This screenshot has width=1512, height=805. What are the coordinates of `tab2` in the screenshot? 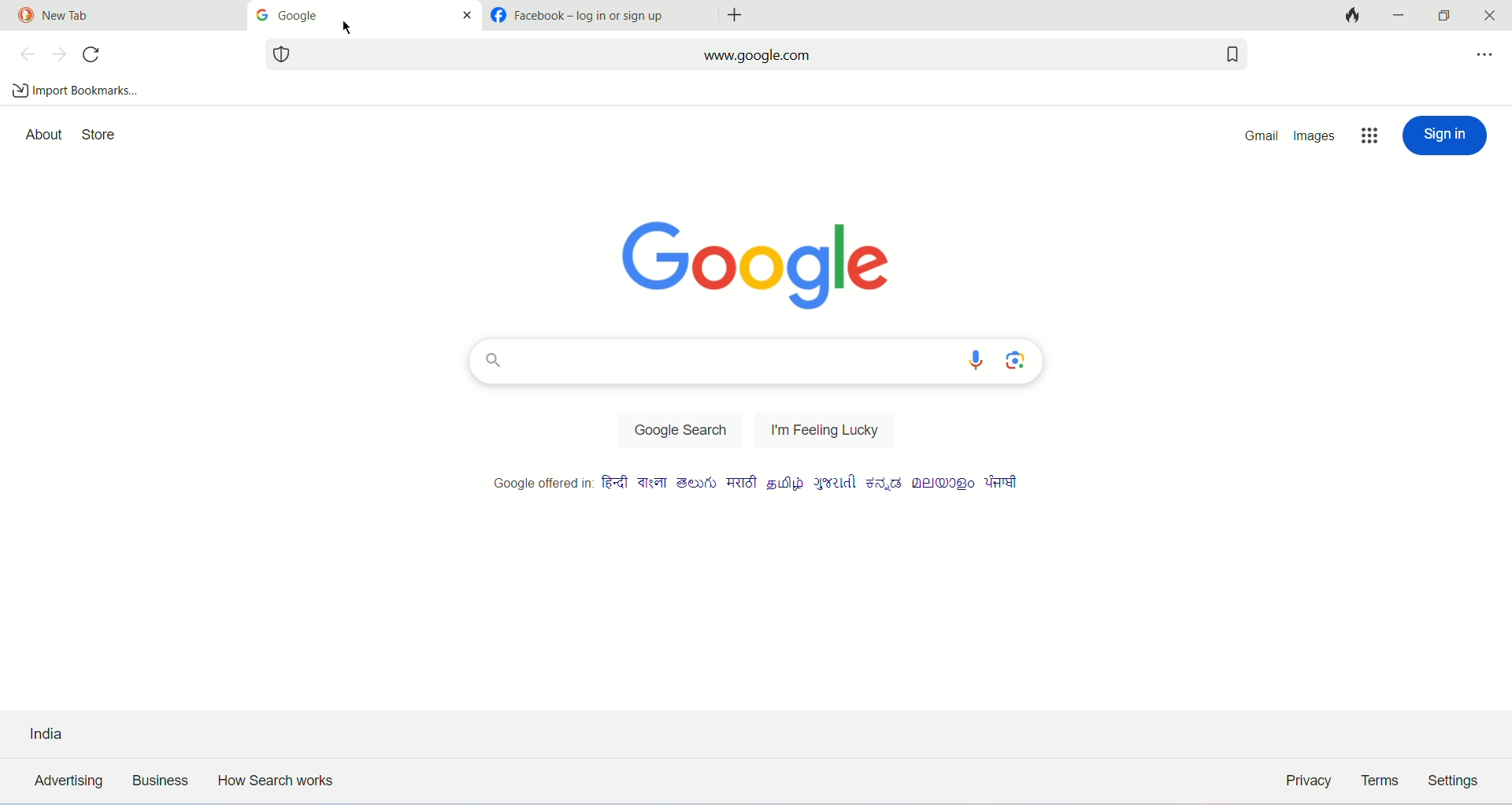 It's located at (598, 16).